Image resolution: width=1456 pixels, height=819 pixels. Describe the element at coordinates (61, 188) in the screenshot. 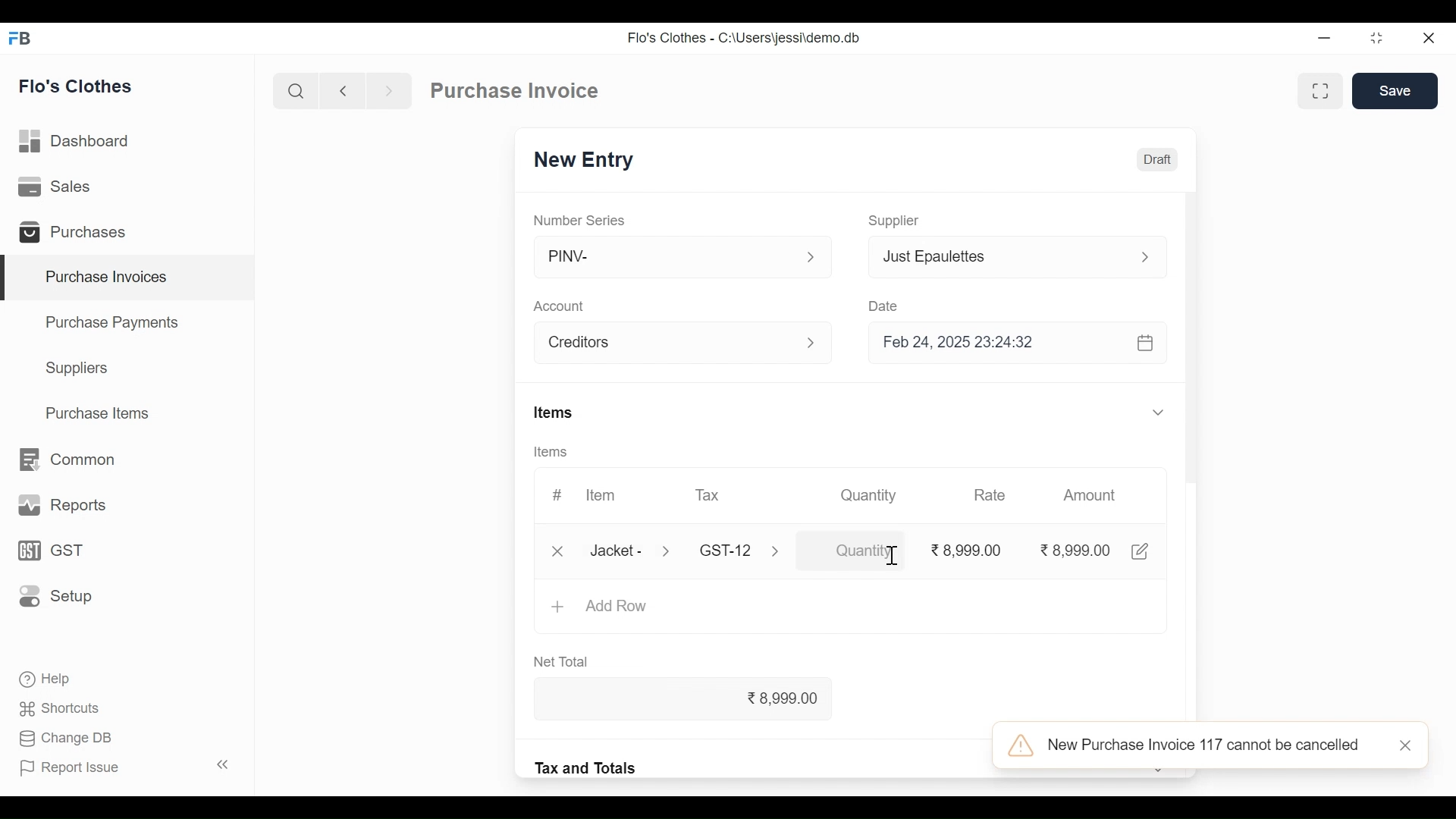

I see `Sales` at that location.